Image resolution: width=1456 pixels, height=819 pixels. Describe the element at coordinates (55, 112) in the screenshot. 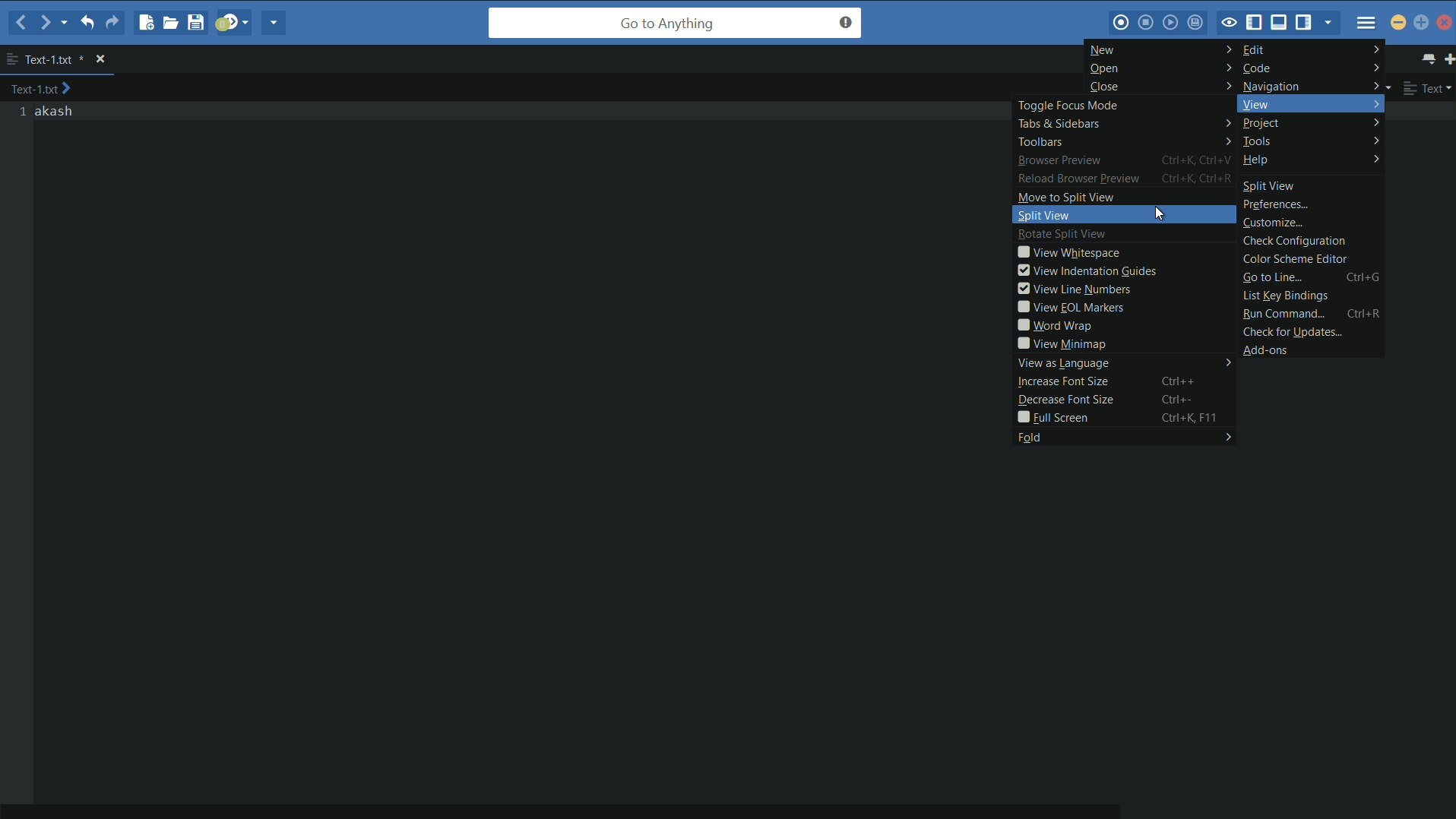

I see `Akash` at that location.